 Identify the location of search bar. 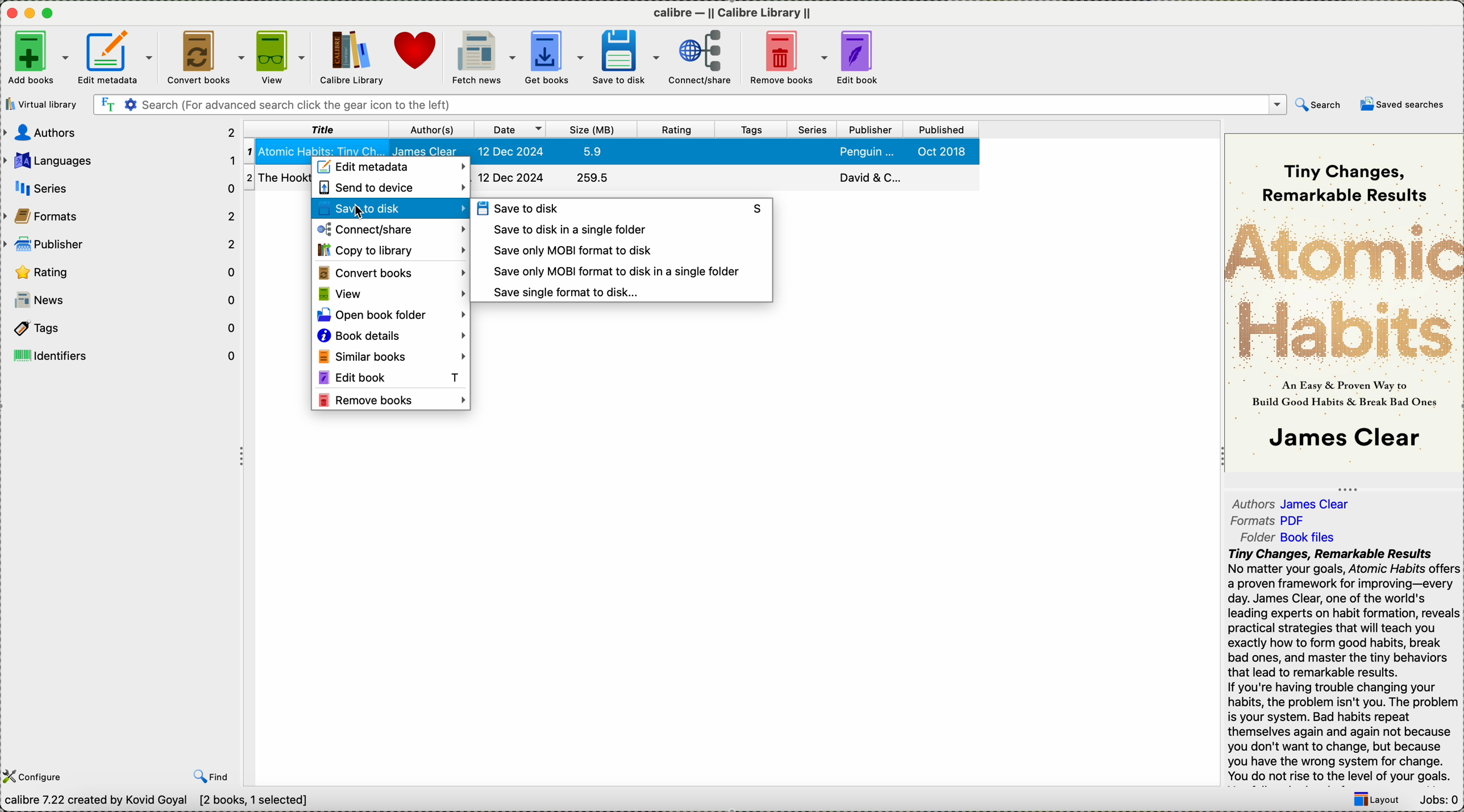
(688, 105).